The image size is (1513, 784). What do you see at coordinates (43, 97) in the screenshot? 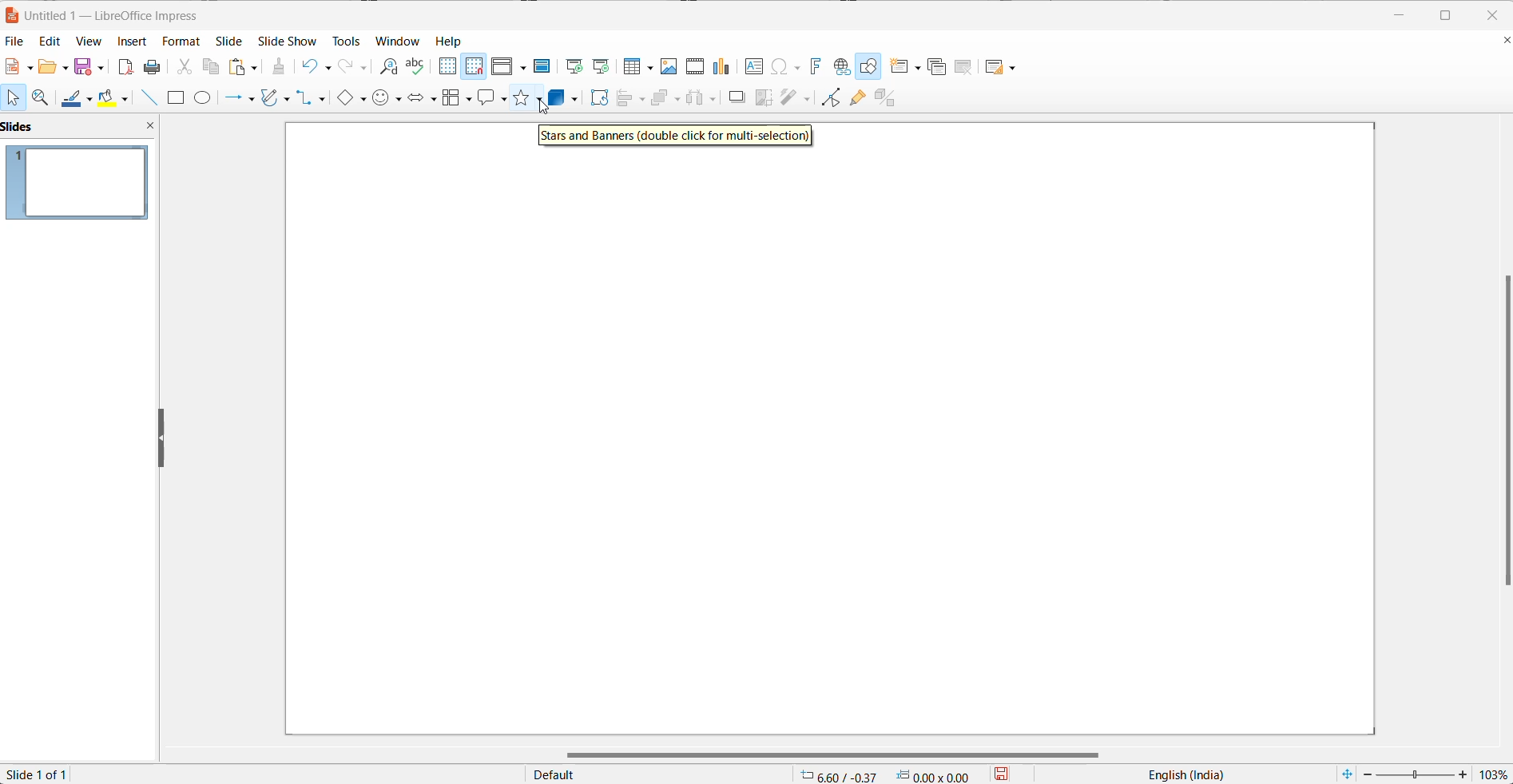
I see `zoom and pan` at bounding box center [43, 97].